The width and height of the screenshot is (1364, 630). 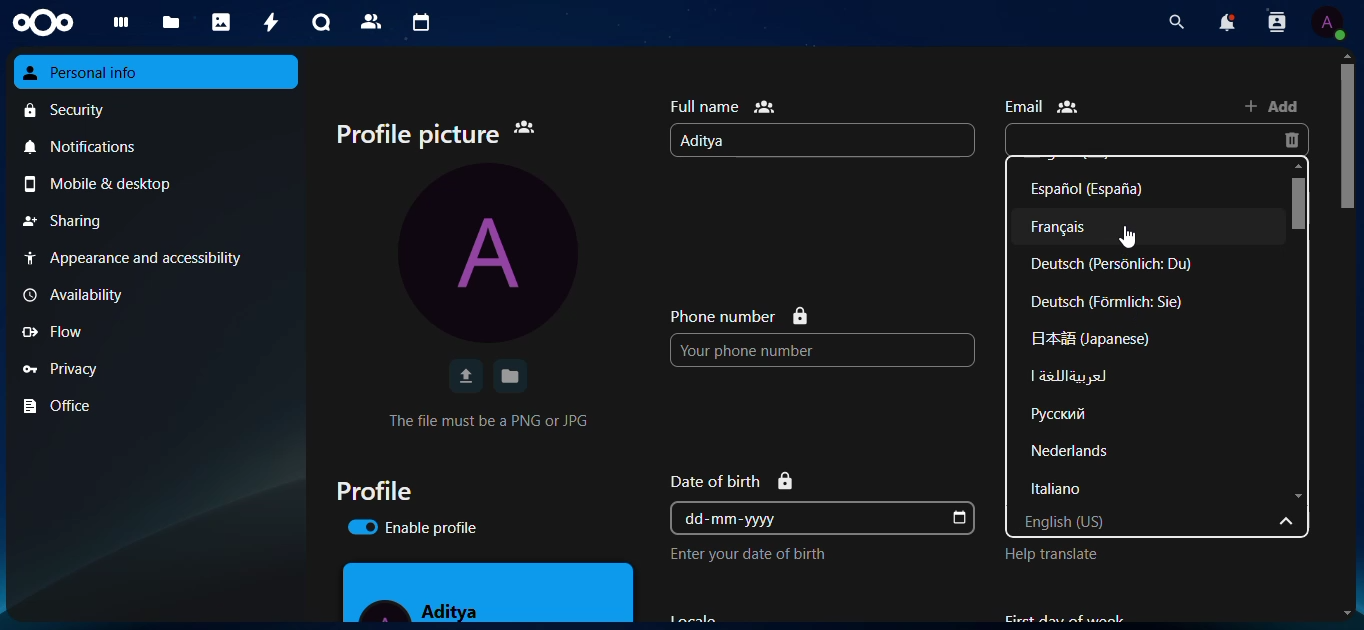 I want to click on mobile&desktop, so click(x=112, y=185).